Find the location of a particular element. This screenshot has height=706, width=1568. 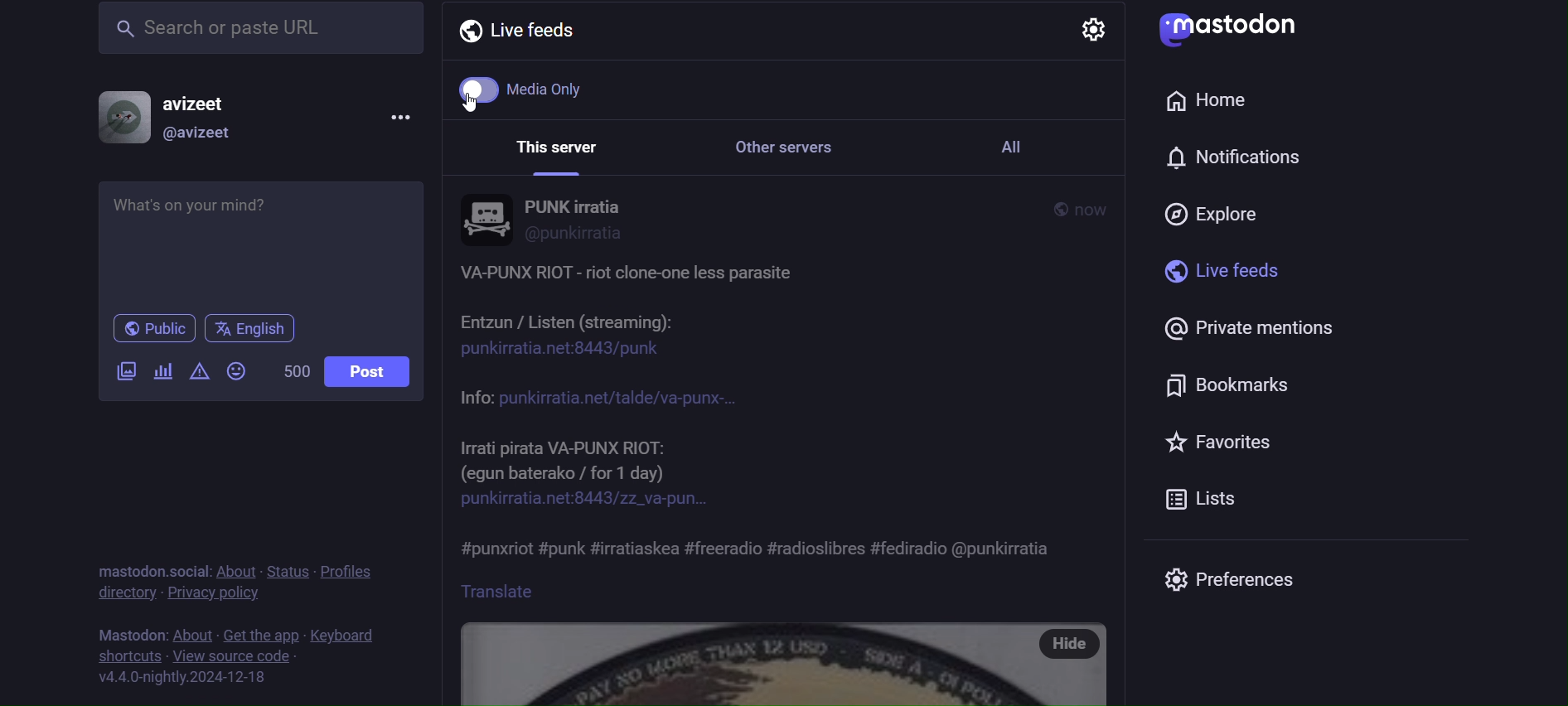

privacy policy is located at coordinates (211, 594).